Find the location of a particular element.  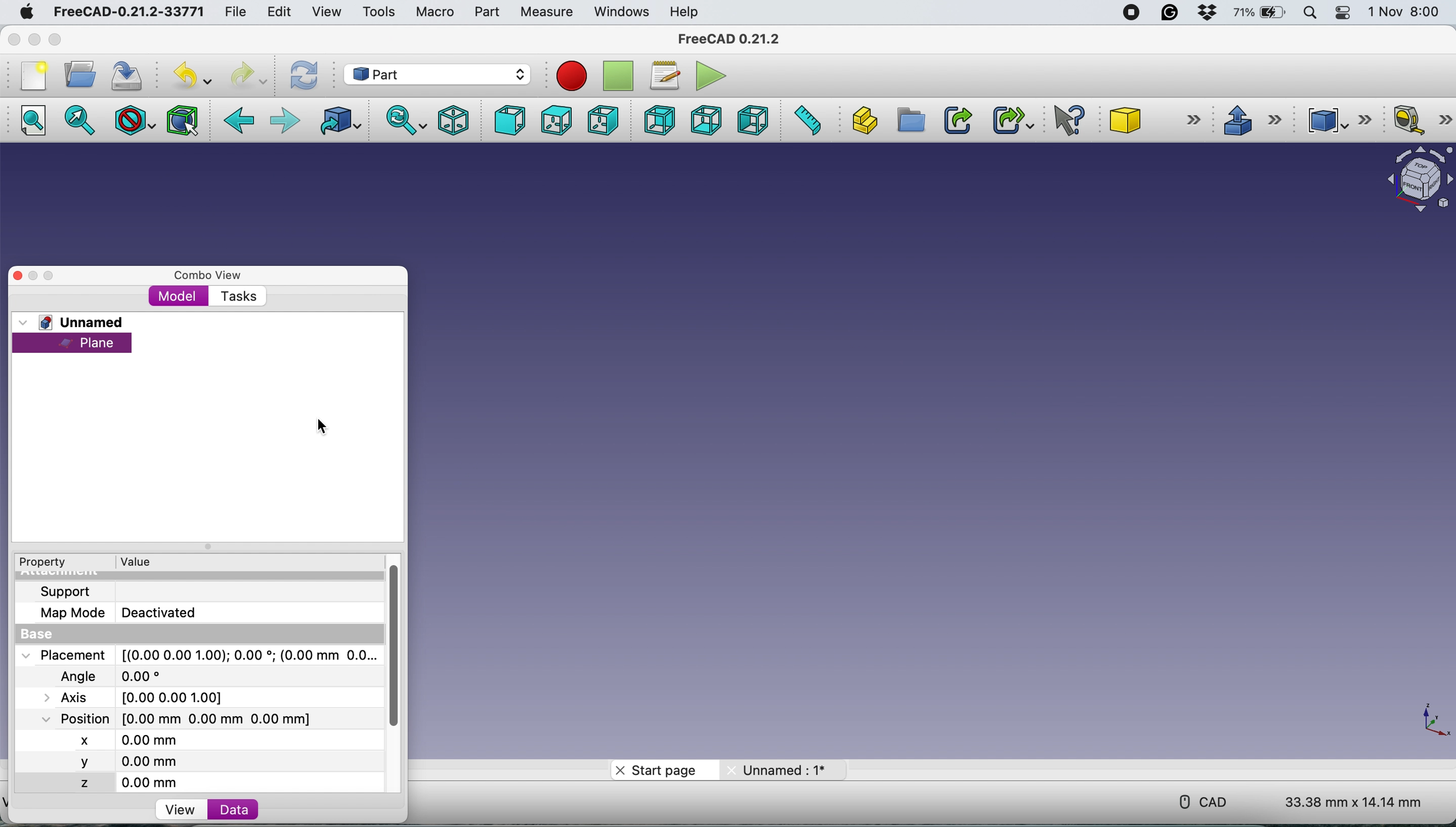

macro is located at coordinates (432, 12).